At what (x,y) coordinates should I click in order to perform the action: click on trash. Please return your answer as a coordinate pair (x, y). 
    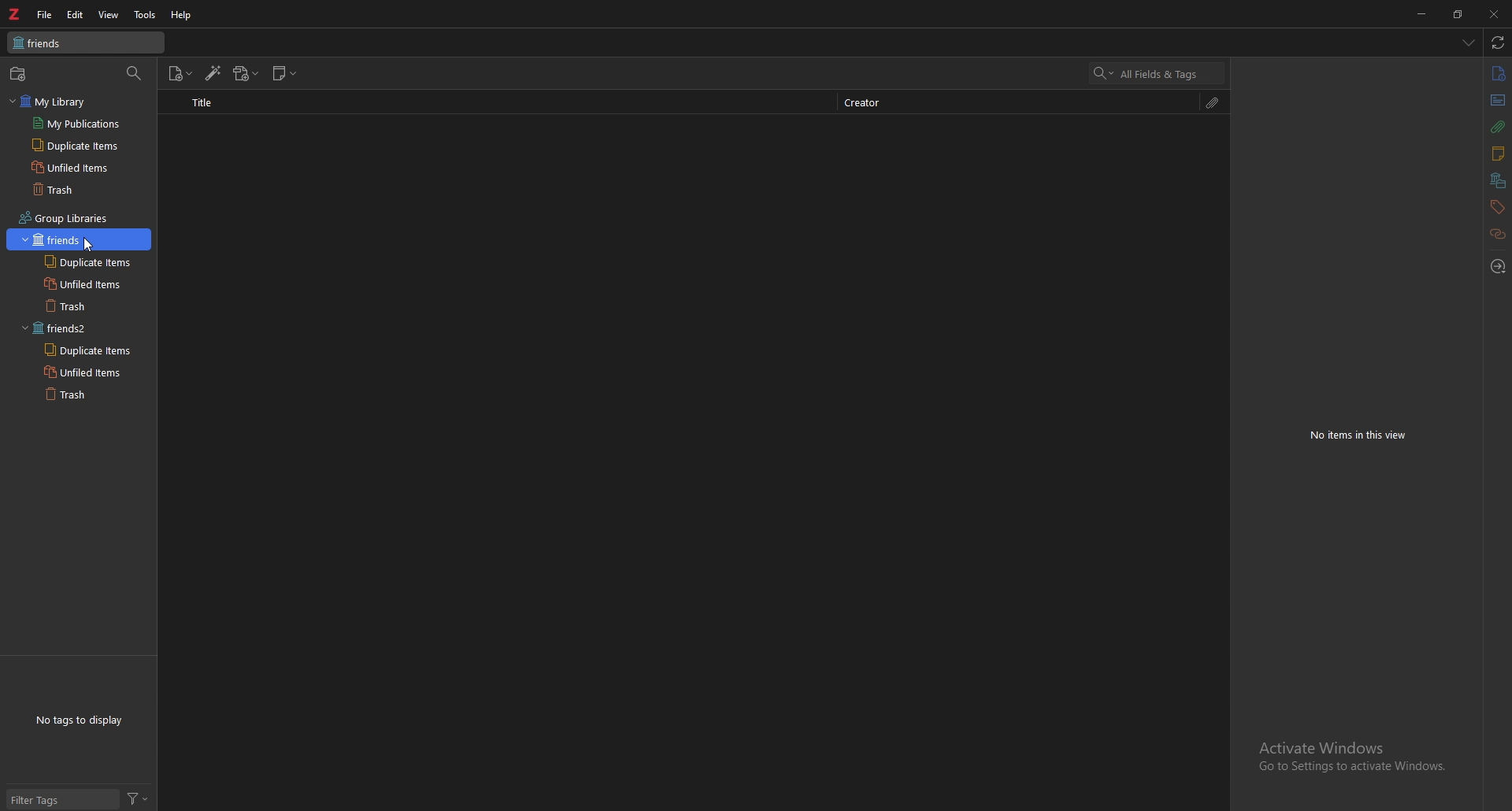
    Looking at the image, I should click on (83, 189).